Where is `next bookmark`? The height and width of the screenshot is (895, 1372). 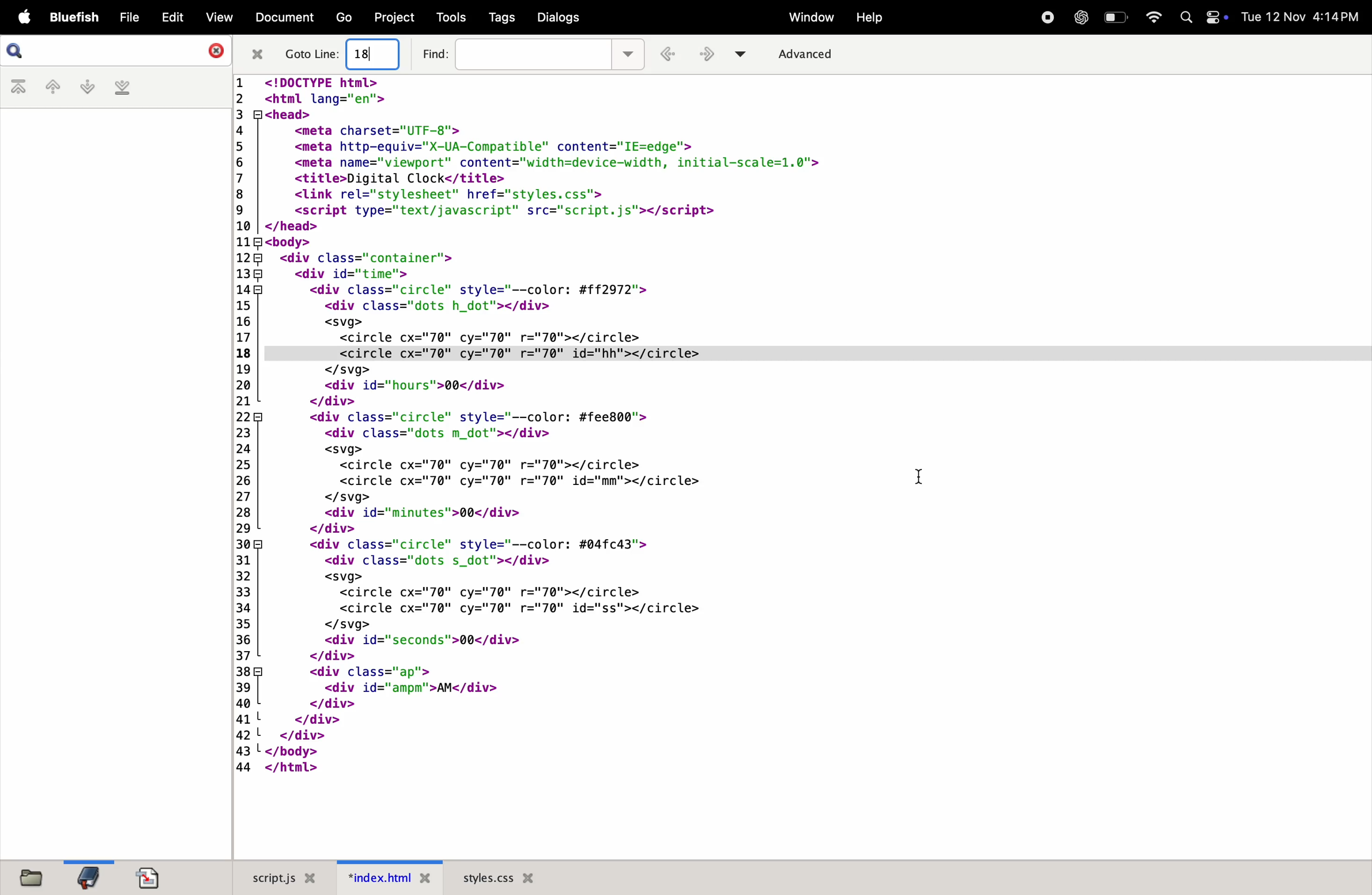 next bookmark is located at coordinates (84, 87).